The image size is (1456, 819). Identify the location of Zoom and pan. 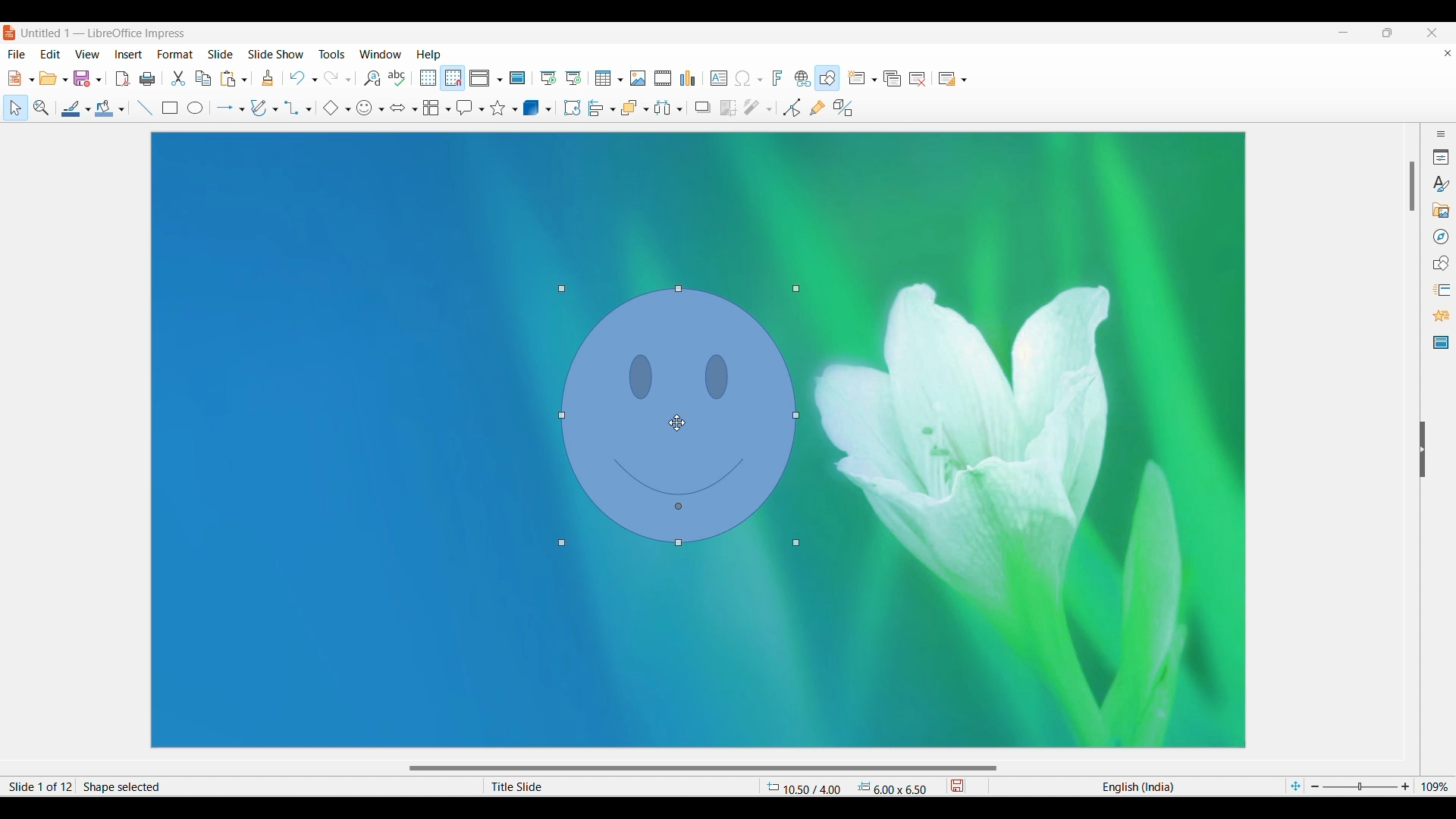
(42, 108).